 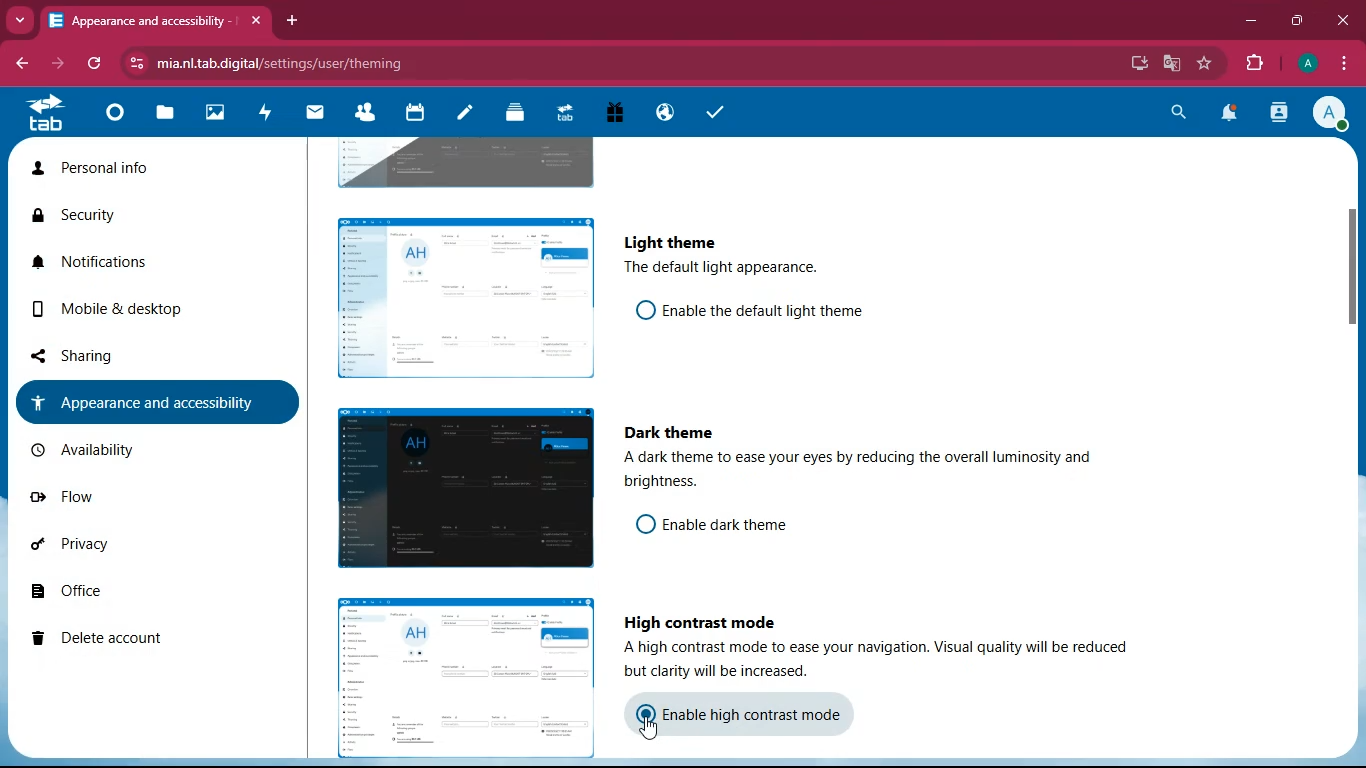 I want to click on view site information, so click(x=140, y=64).